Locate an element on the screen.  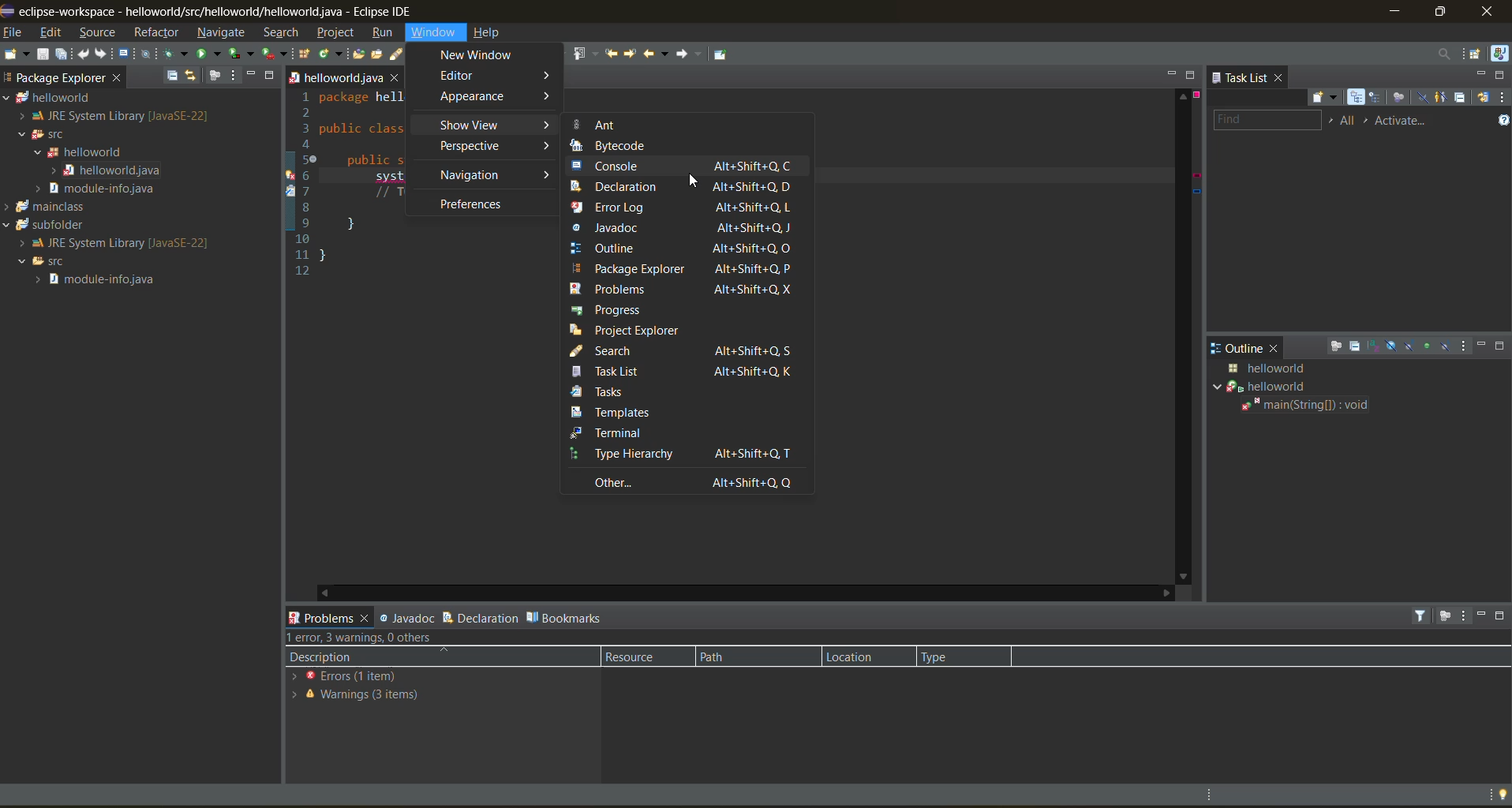
appearance is located at coordinates (492, 96).